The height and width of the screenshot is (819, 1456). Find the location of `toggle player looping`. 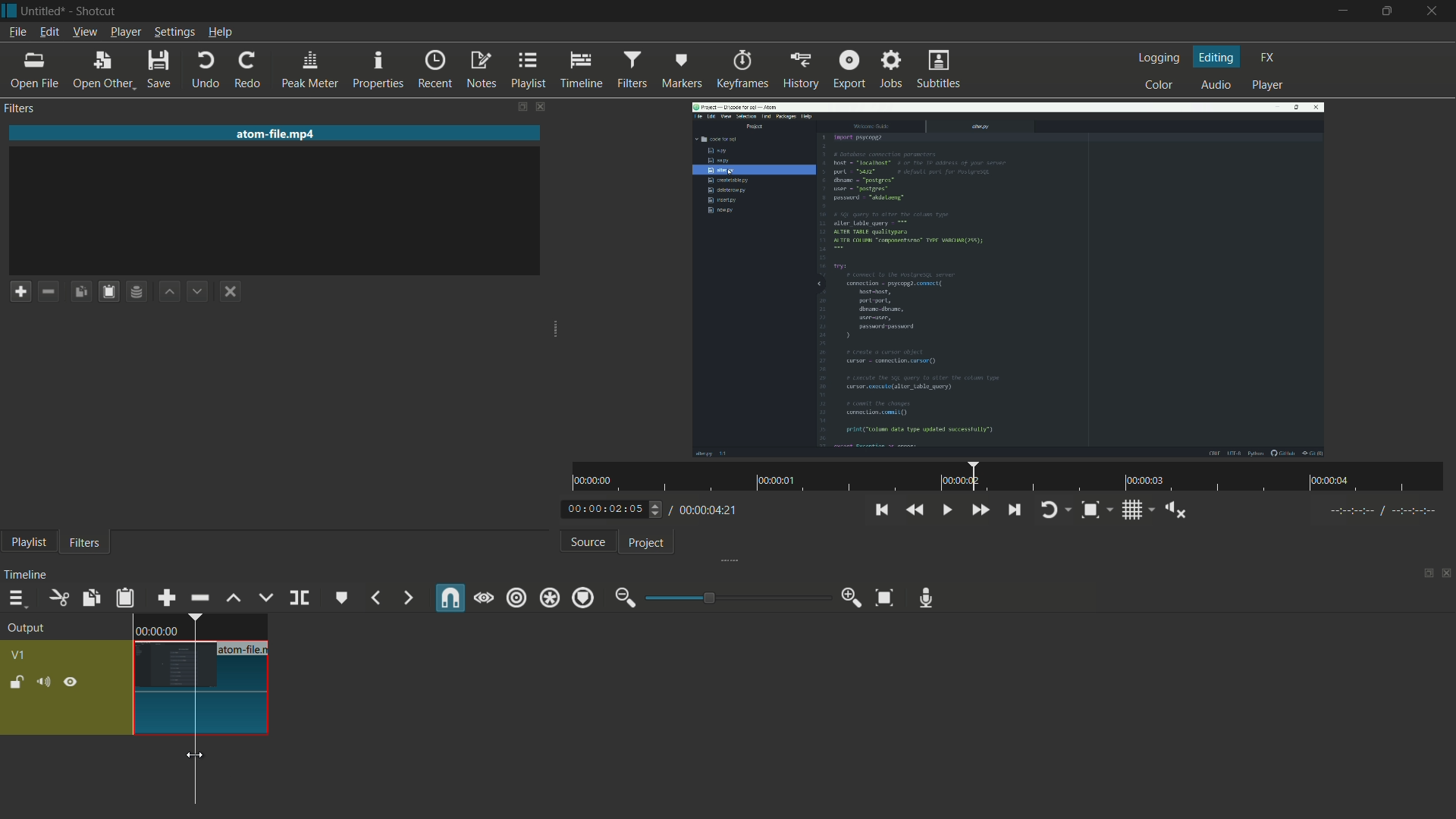

toggle player looping is located at coordinates (1048, 510).